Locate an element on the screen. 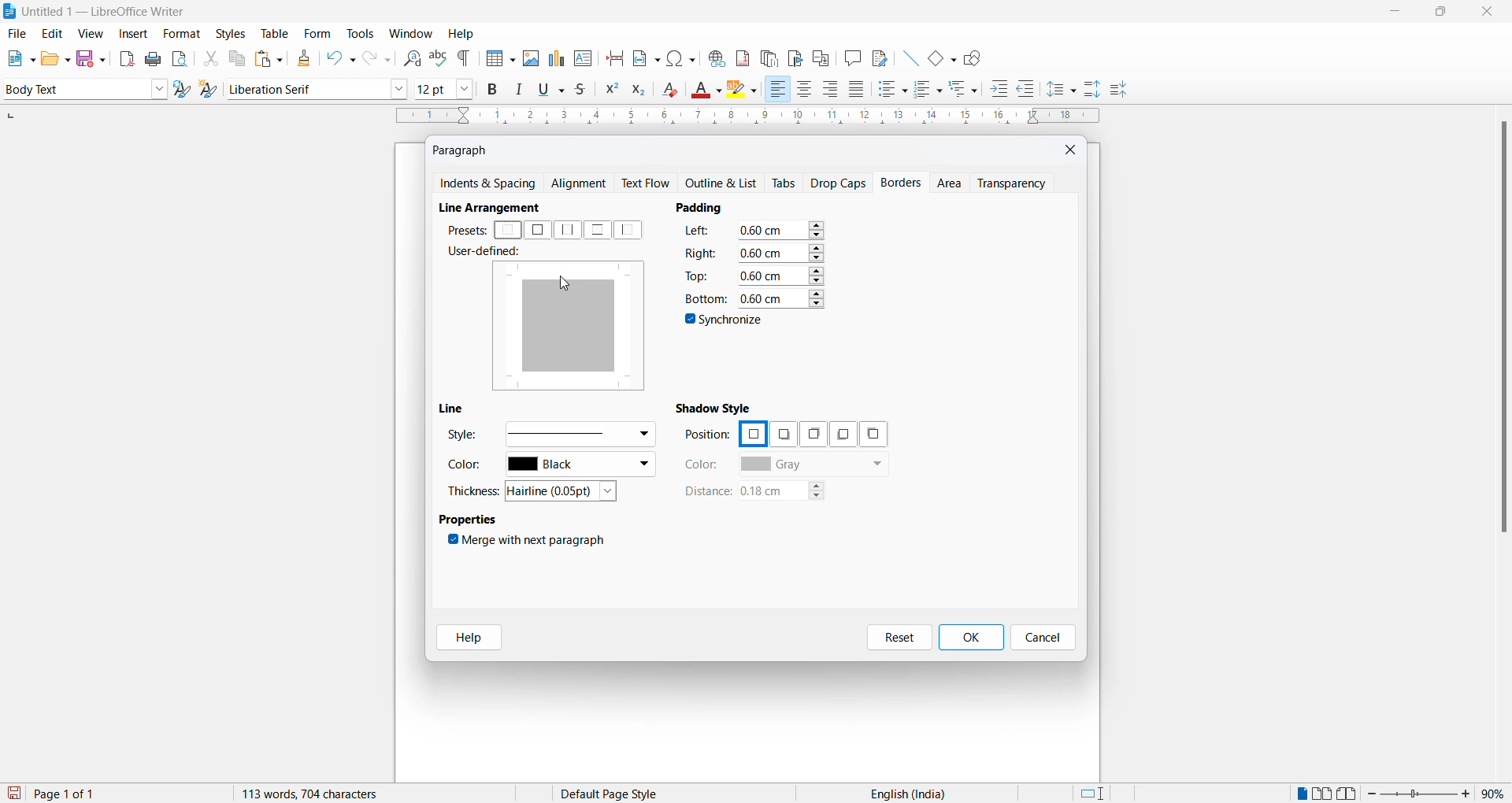  close is located at coordinates (1072, 149).